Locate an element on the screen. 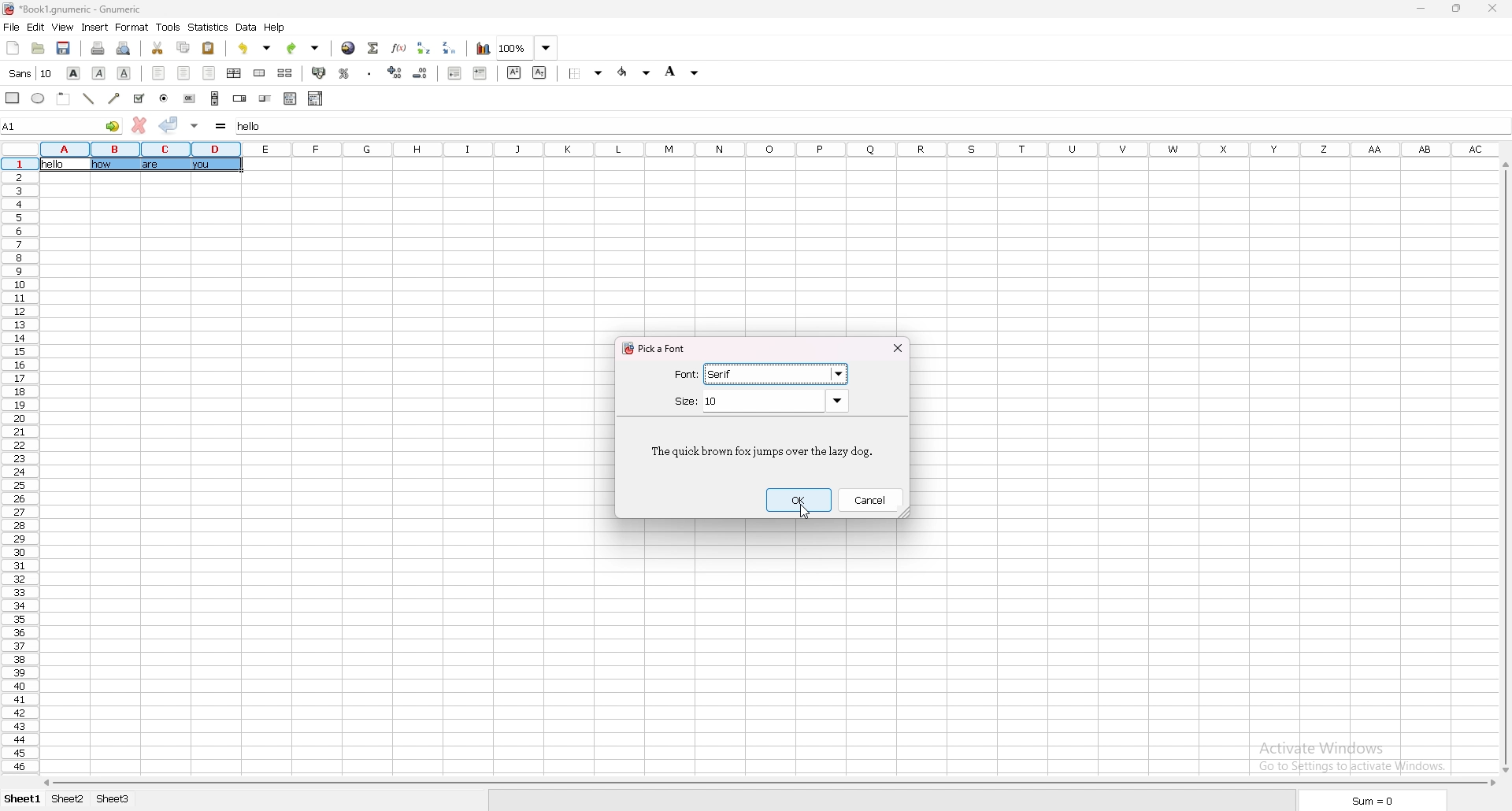 Image resolution: width=1512 pixels, height=811 pixels. slider is located at coordinates (265, 98).